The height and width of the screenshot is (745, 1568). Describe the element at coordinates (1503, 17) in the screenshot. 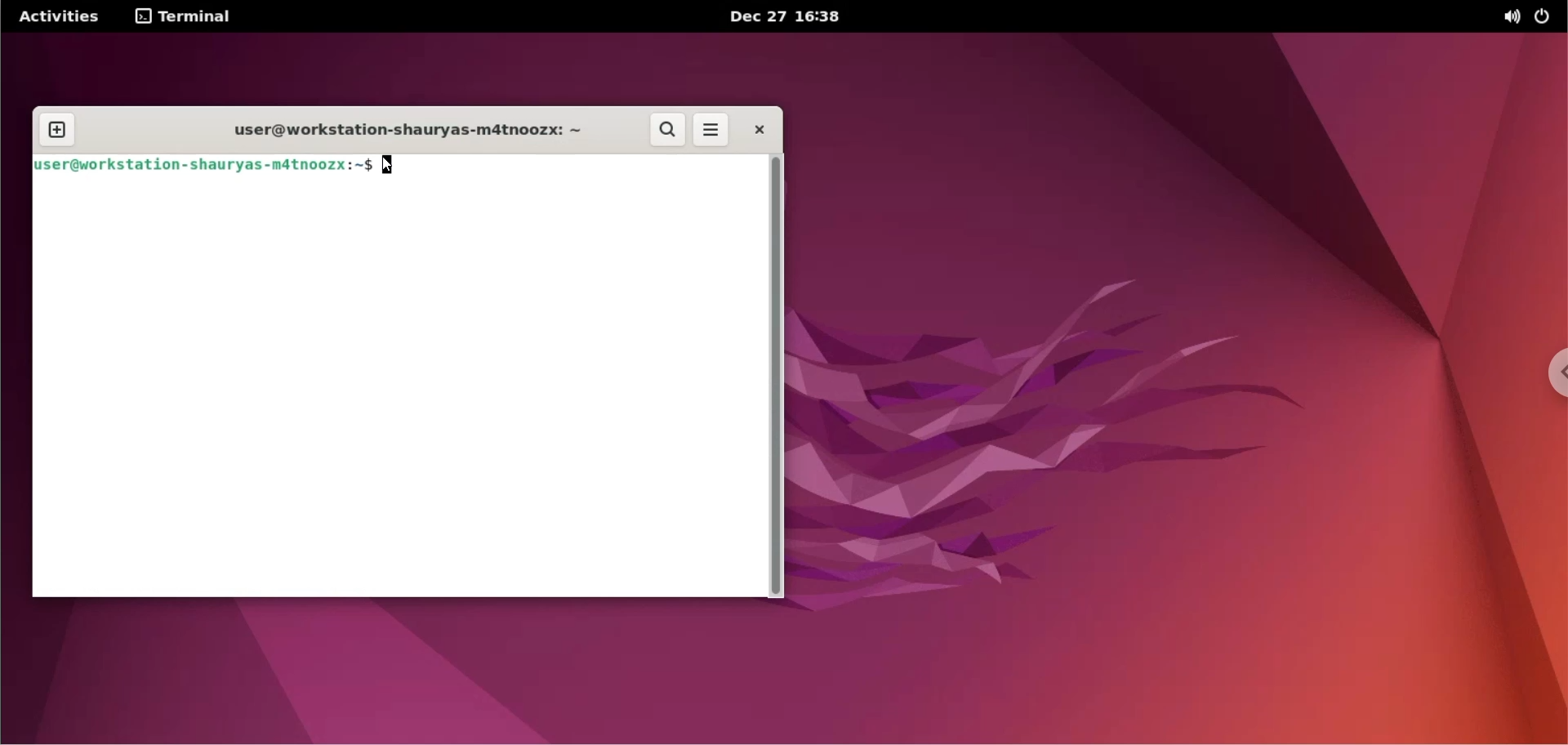

I see `Volume` at that location.